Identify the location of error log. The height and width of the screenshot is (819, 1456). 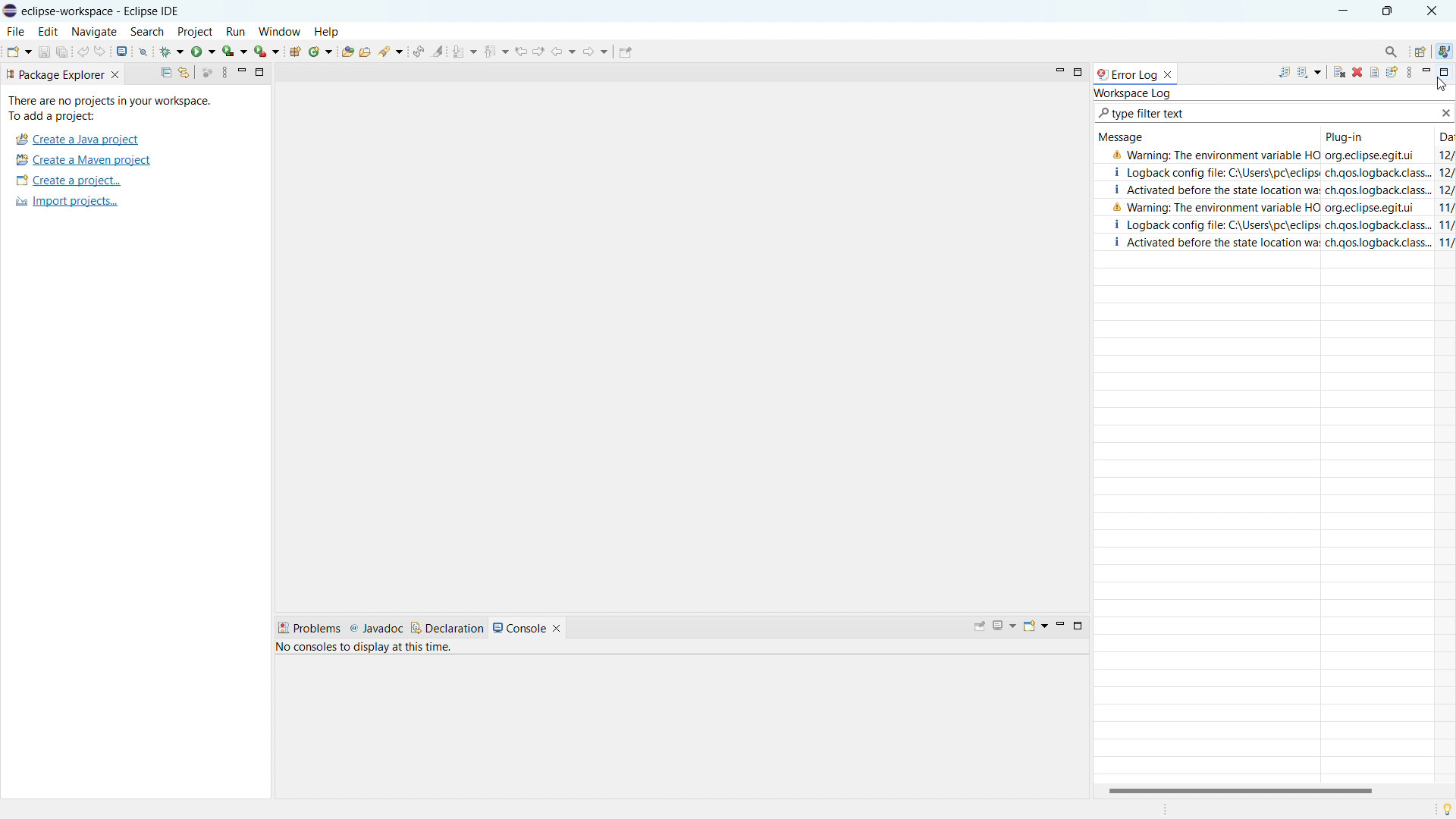
(1126, 74).